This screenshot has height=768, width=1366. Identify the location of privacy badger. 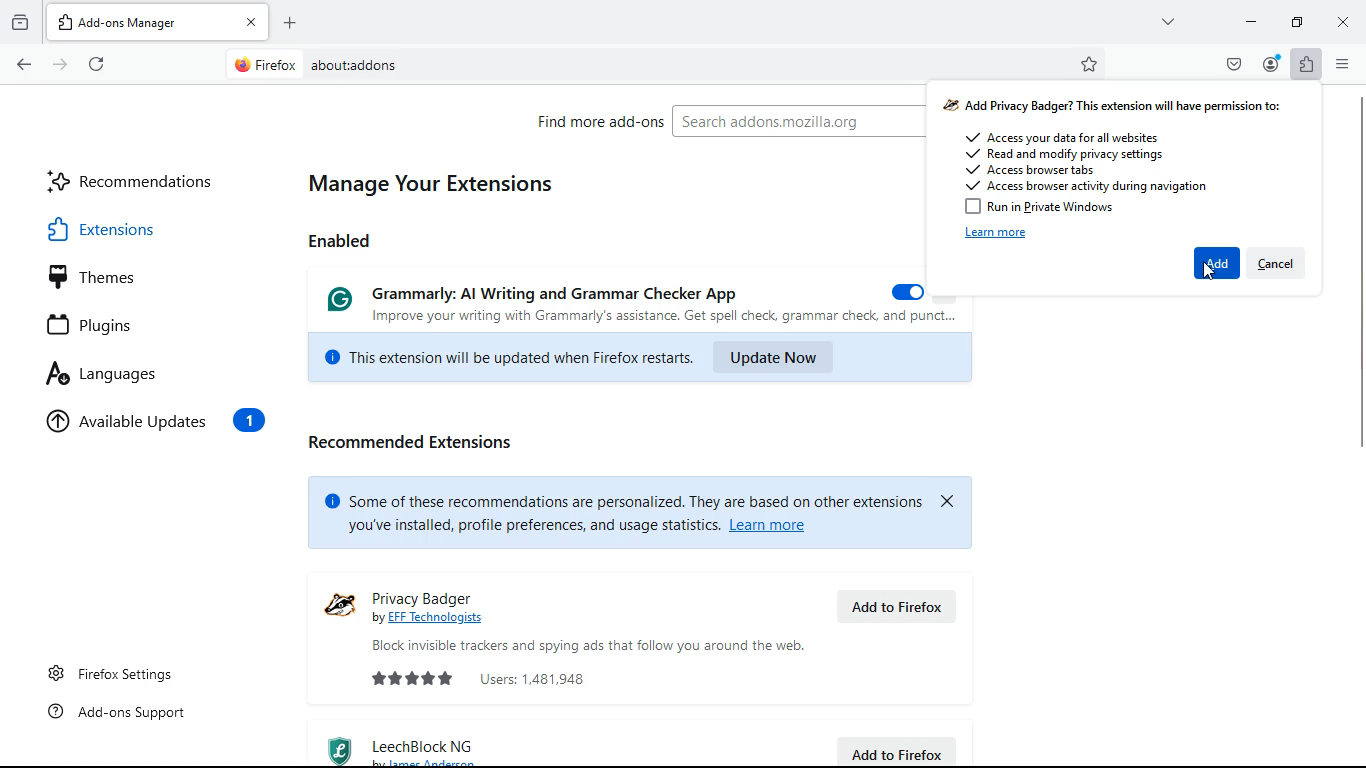
(429, 595).